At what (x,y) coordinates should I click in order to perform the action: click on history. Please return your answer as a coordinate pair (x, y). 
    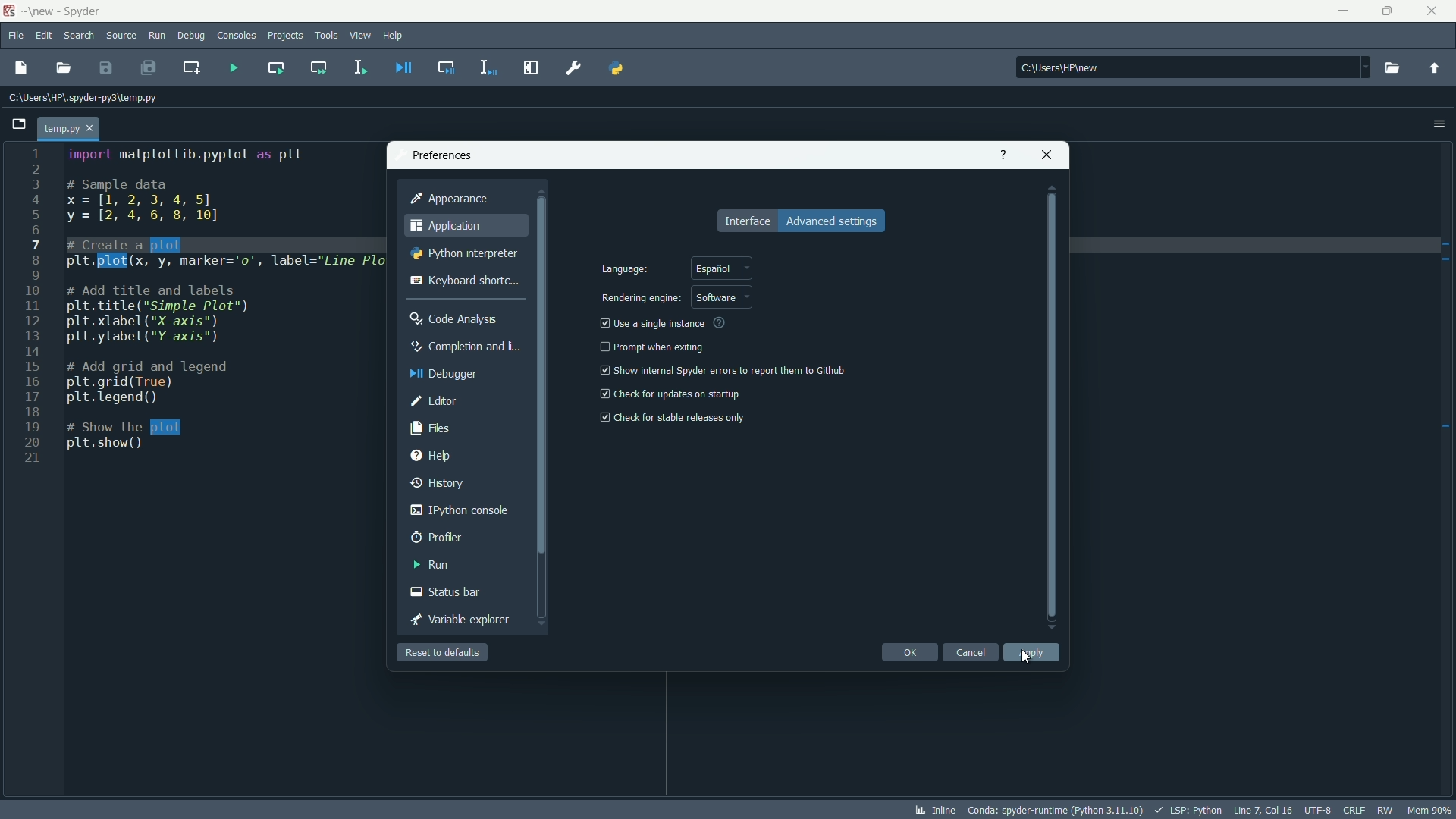
    Looking at the image, I should click on (439, 484).